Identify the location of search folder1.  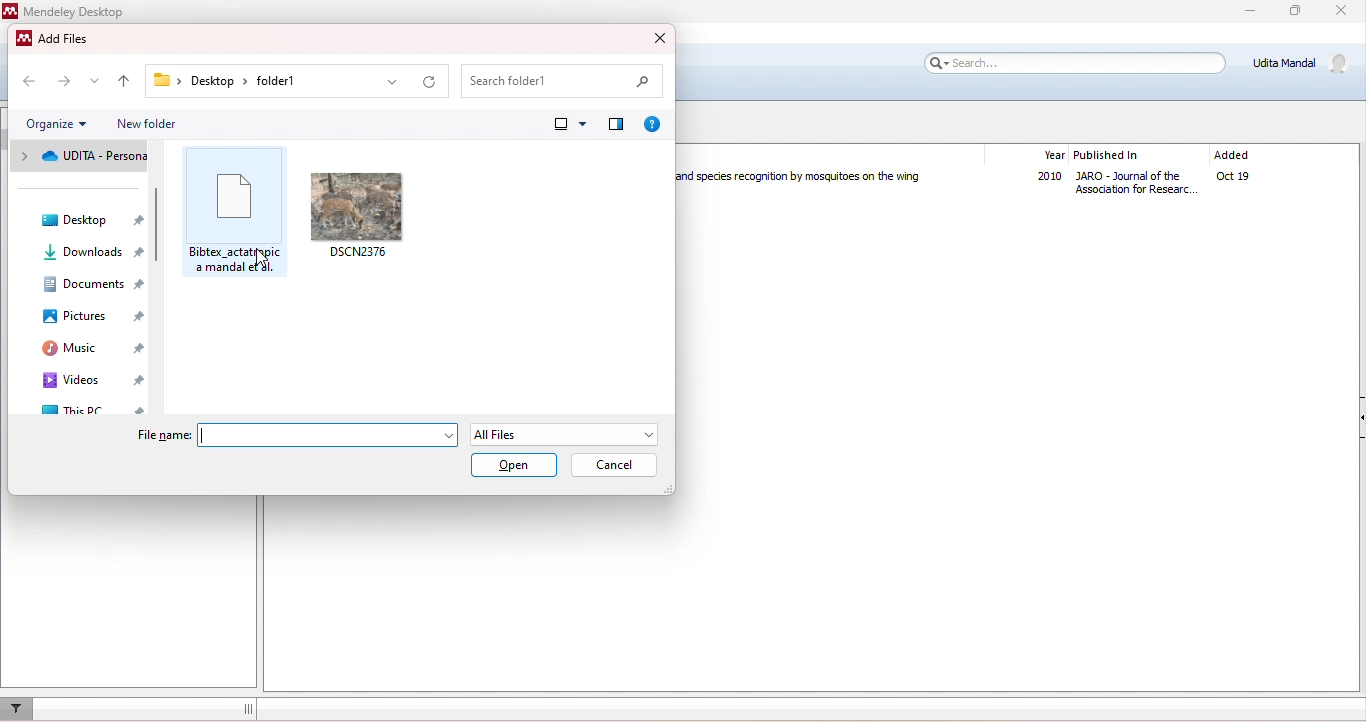
(563, 82).